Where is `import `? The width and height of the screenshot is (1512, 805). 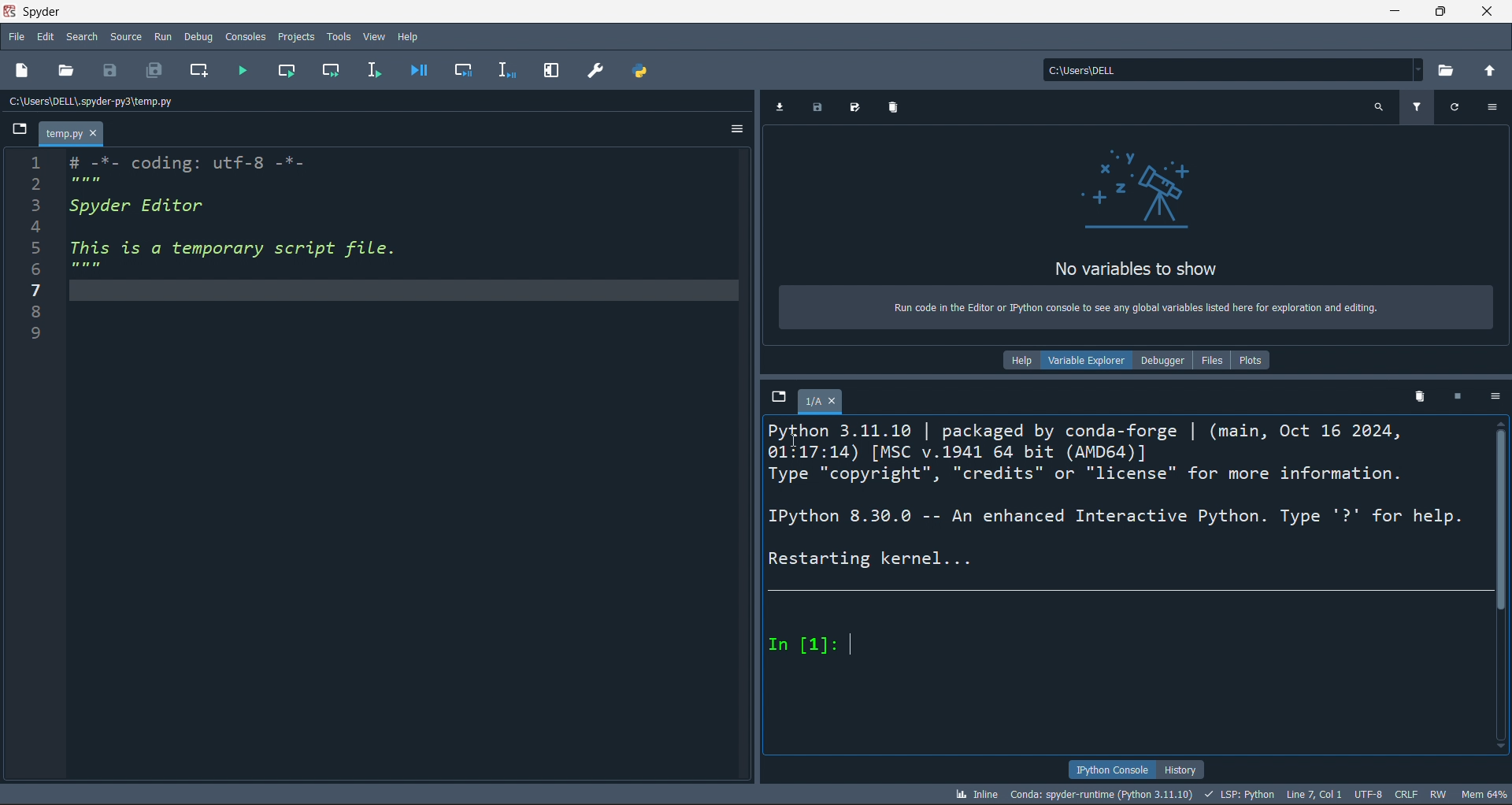 import  is located at coordinates (781, 106).